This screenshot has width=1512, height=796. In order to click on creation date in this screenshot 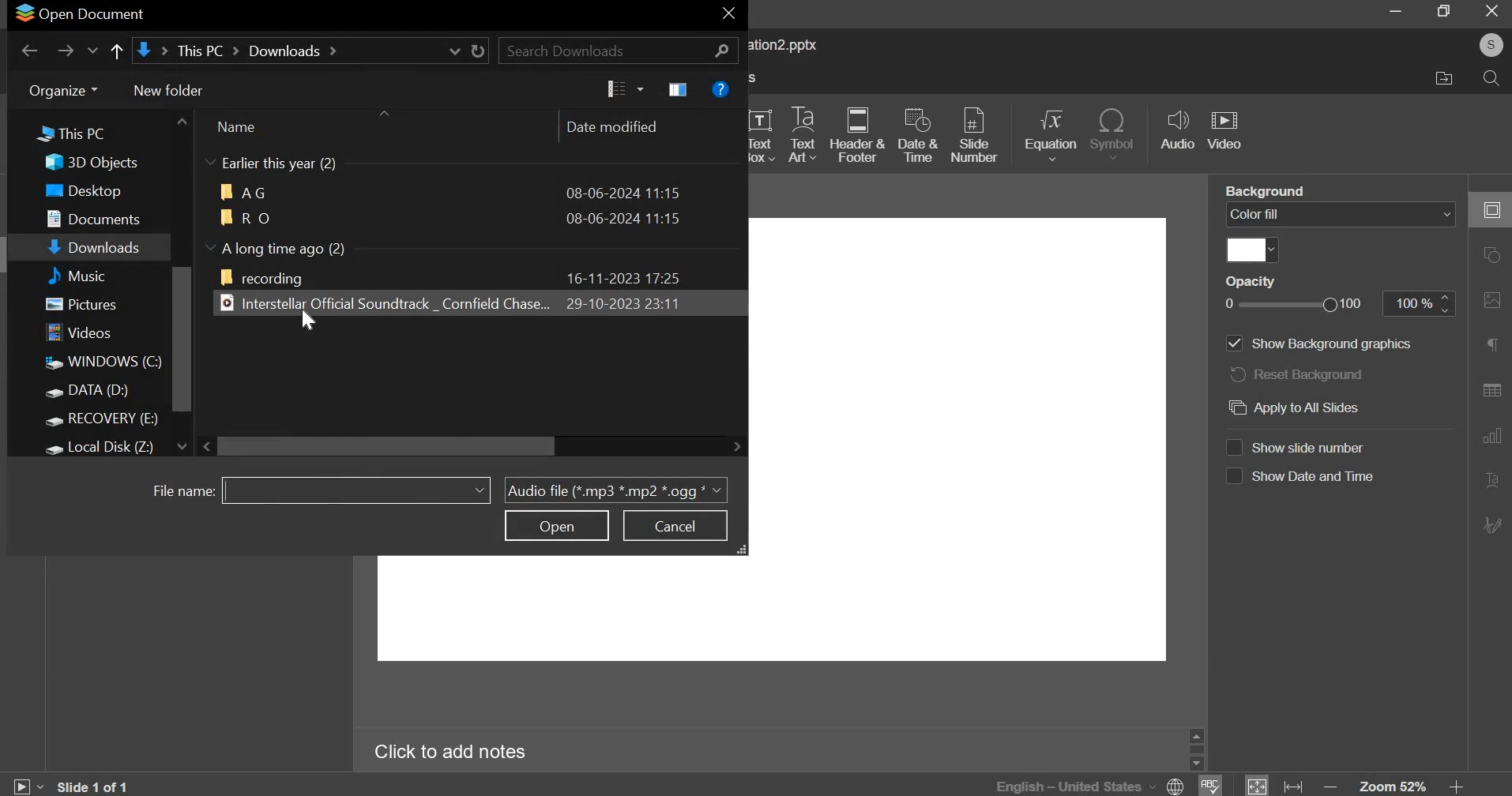, I will do `click(624, 191)`.